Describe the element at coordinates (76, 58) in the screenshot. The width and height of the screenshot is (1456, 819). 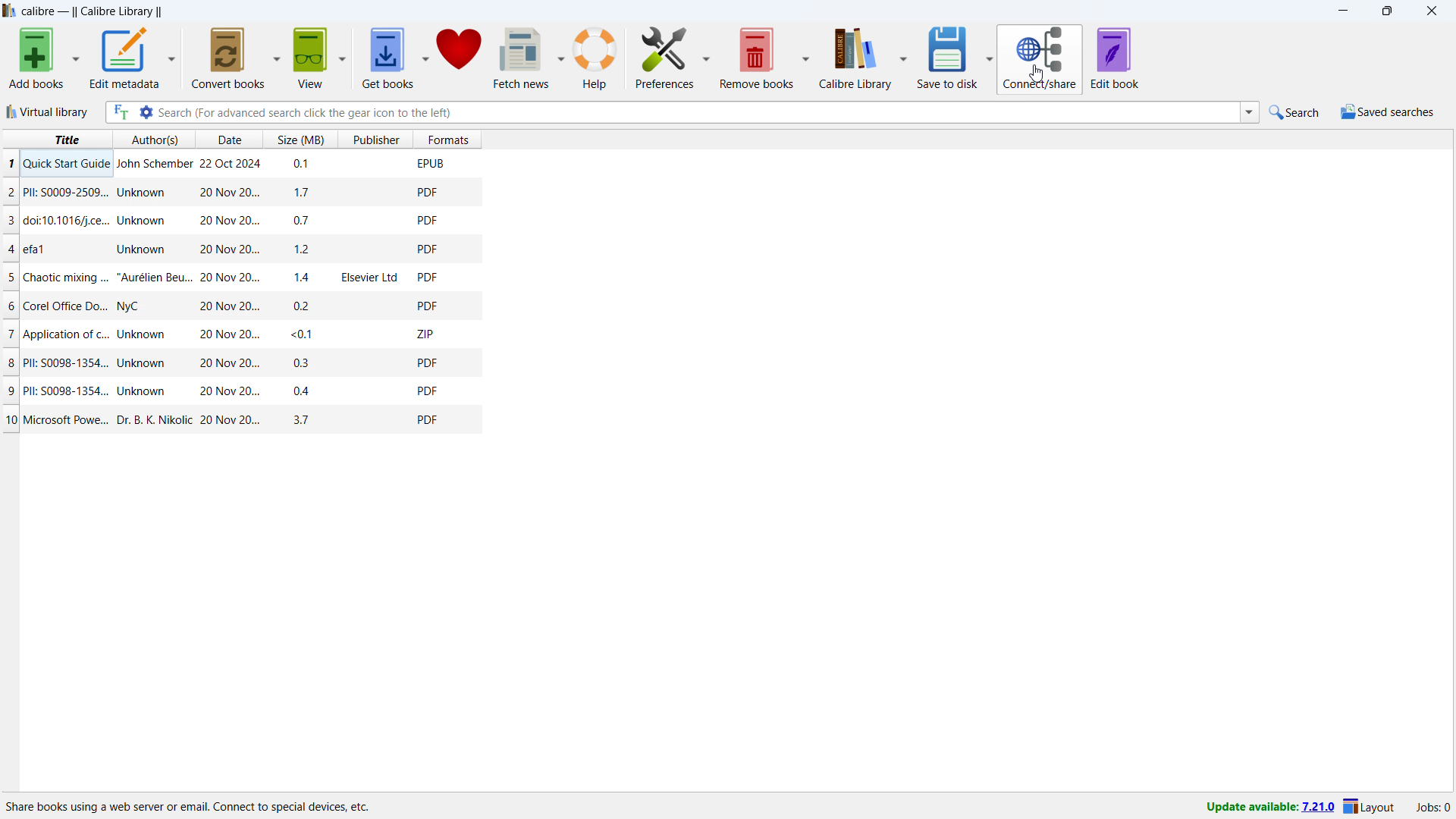
I see `add books options` at that location.